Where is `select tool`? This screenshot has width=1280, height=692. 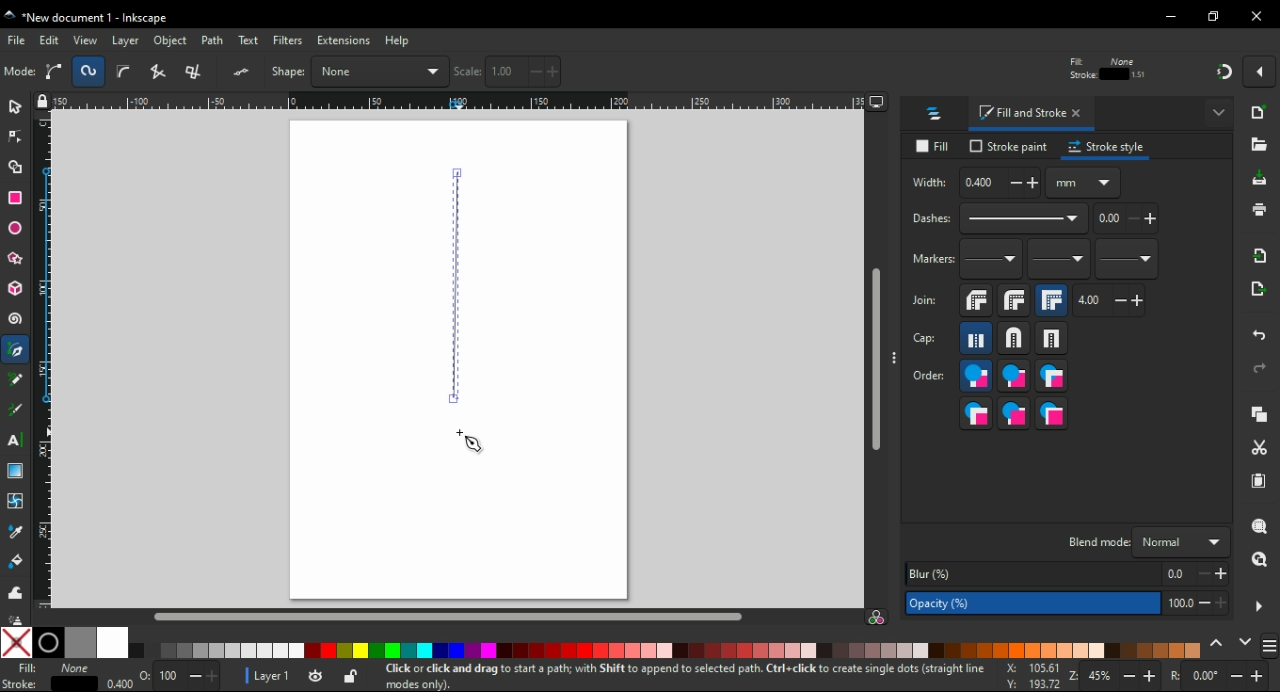 select tool is located at coordinates (15, 105).